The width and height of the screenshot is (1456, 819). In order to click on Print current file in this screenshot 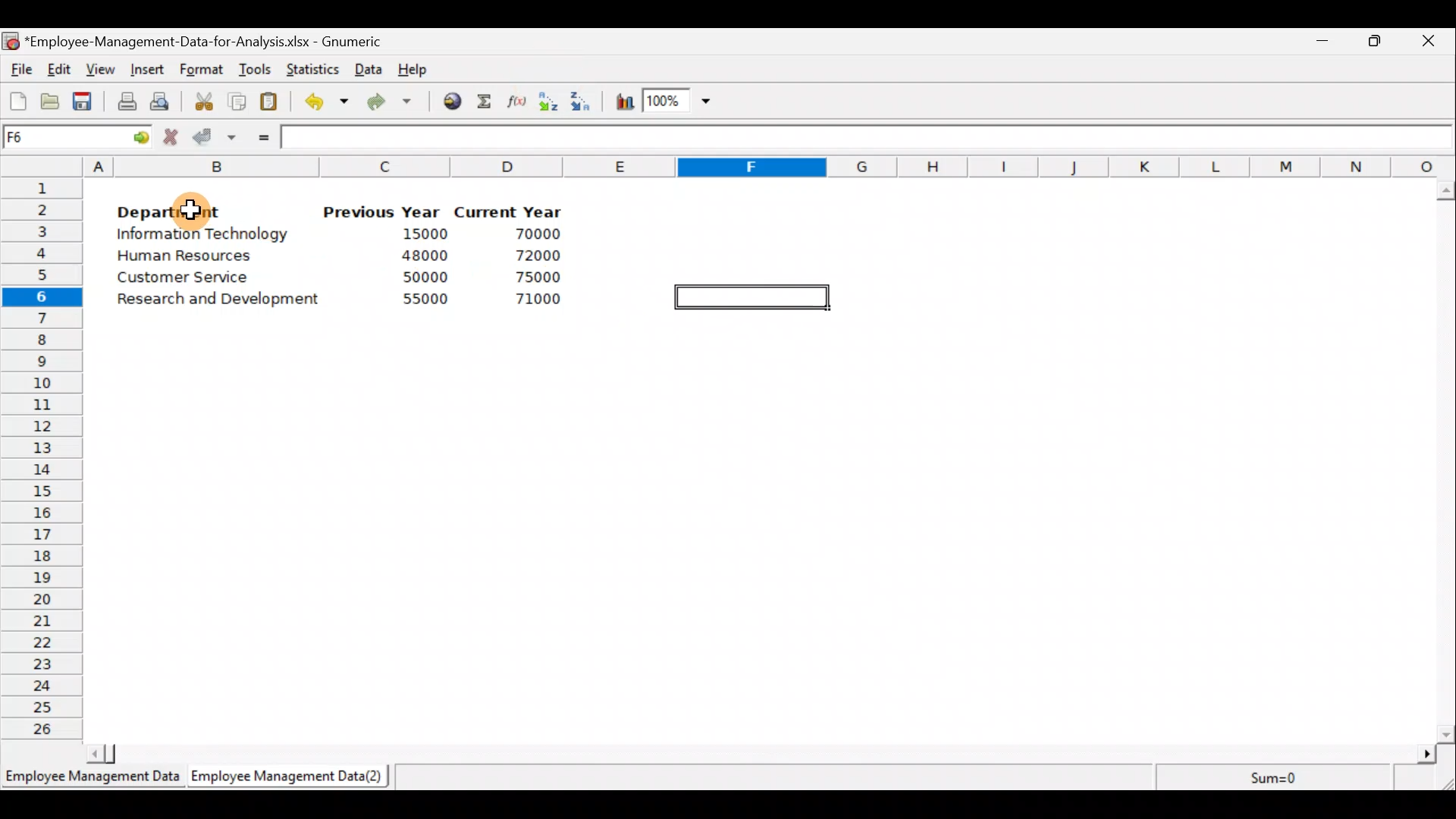, I will do `click(127, 101)`.